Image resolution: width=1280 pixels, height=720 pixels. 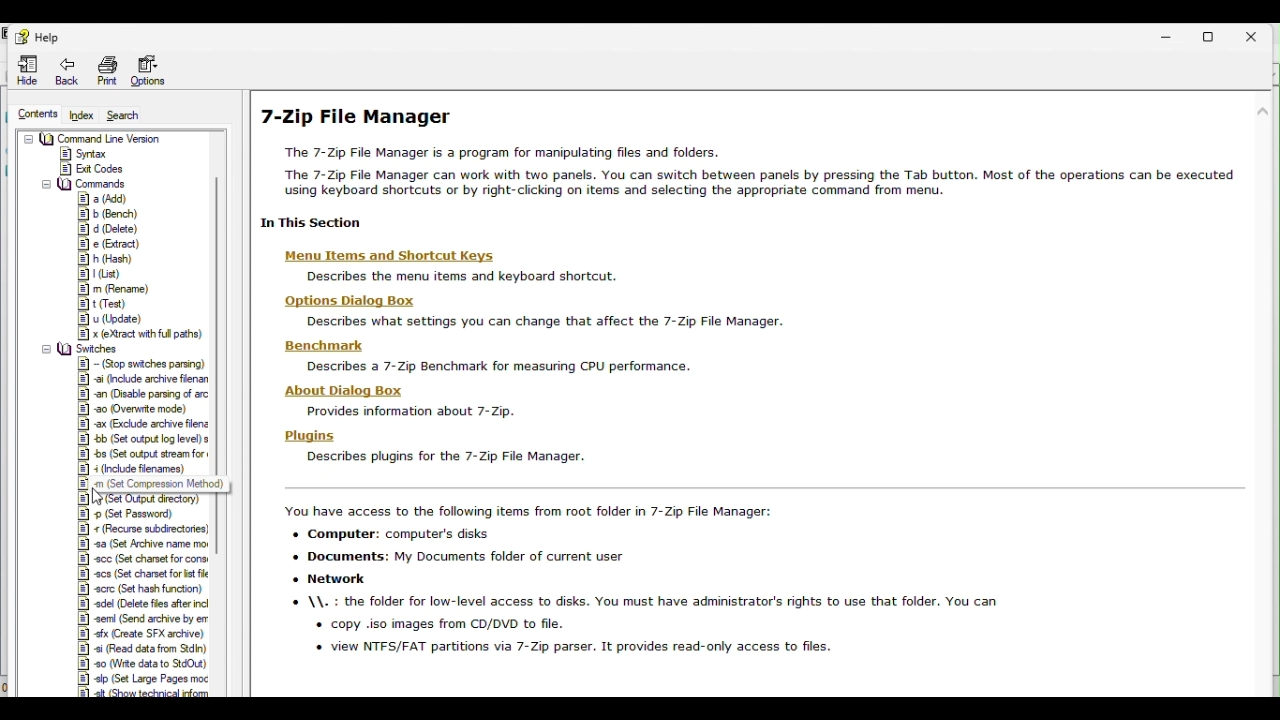 What do you see at coordinates (87, 185) in the screenshot?
I see `commands` at bounding box center [87, 185].